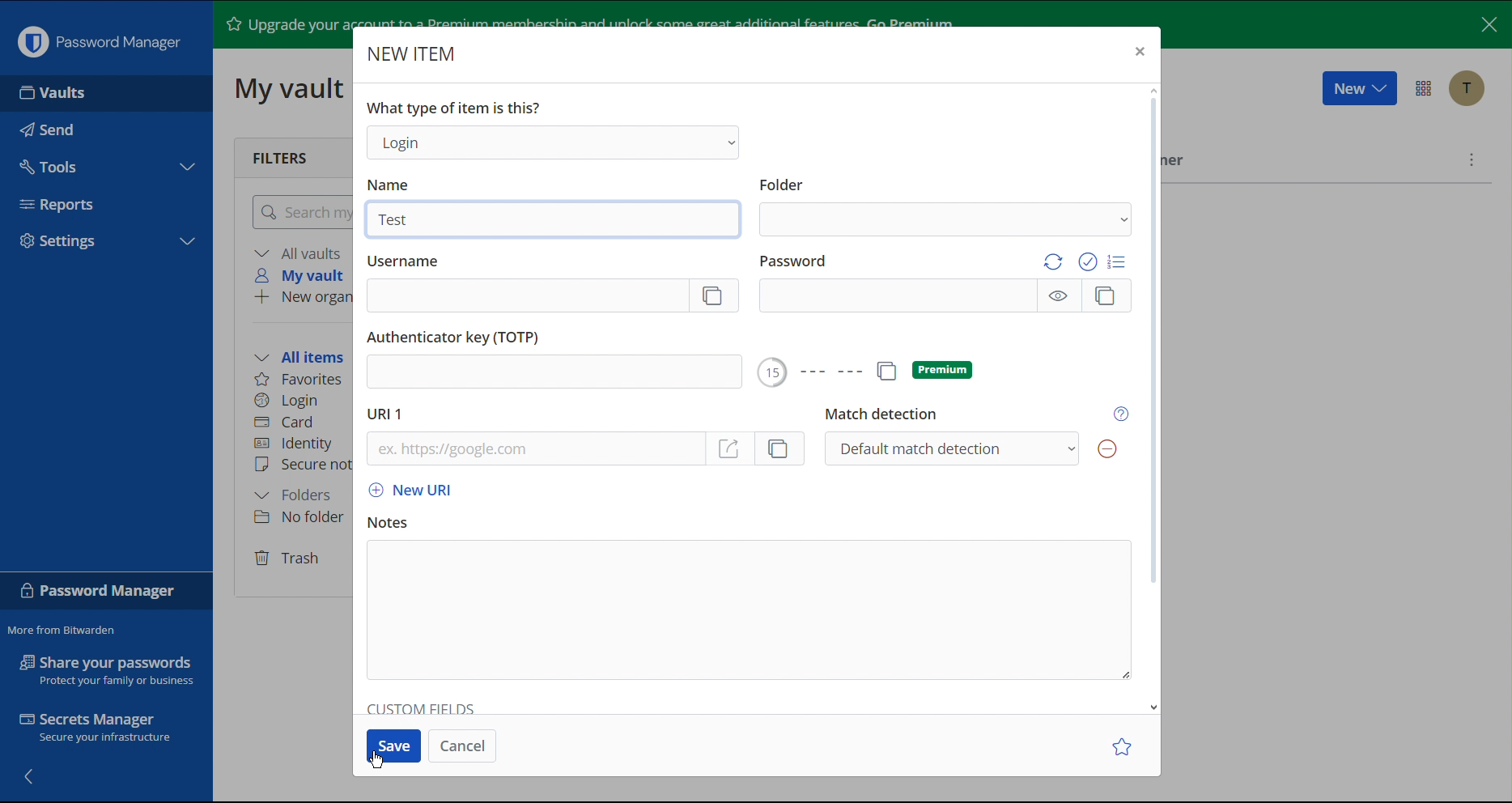  What do you see at coordinates (302, 462) in the screenshot?
I see `Secure note` at bounding box center [302, 462].